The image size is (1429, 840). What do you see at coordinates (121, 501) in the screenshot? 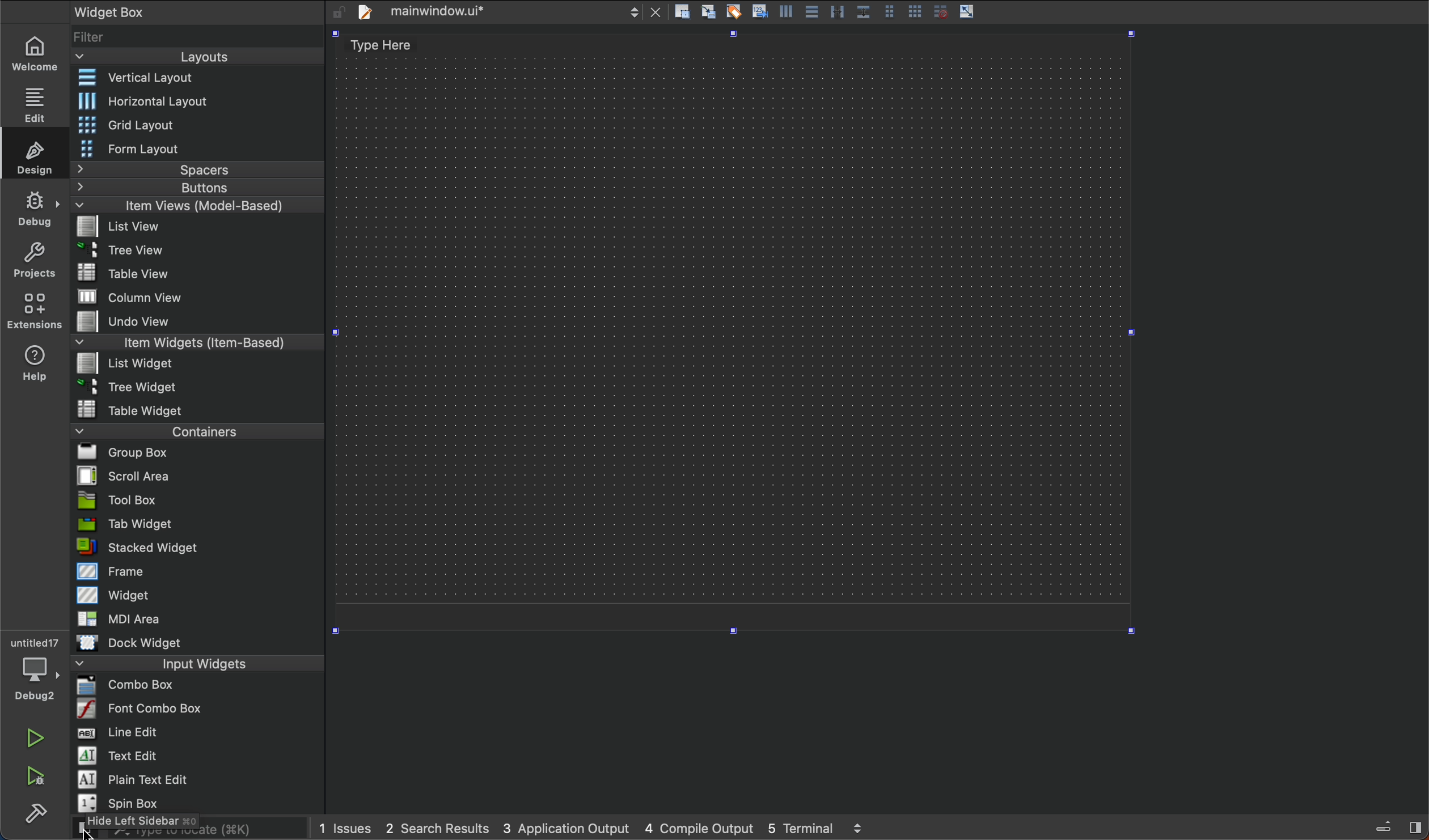
I see `Tool Box` at bounding box center [121, 501].